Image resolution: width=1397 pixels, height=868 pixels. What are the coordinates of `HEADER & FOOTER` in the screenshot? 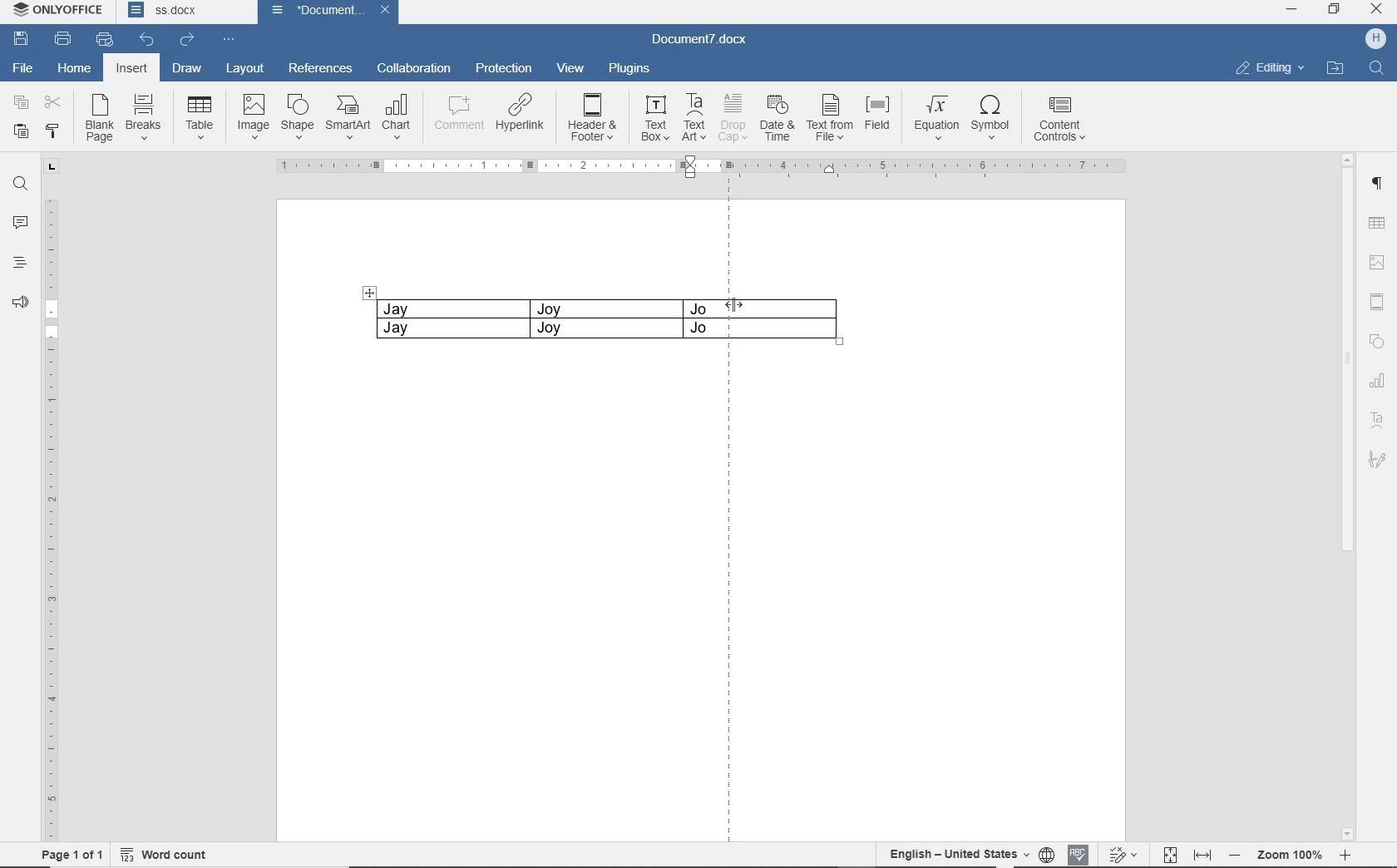 It's located at (1377, 302).